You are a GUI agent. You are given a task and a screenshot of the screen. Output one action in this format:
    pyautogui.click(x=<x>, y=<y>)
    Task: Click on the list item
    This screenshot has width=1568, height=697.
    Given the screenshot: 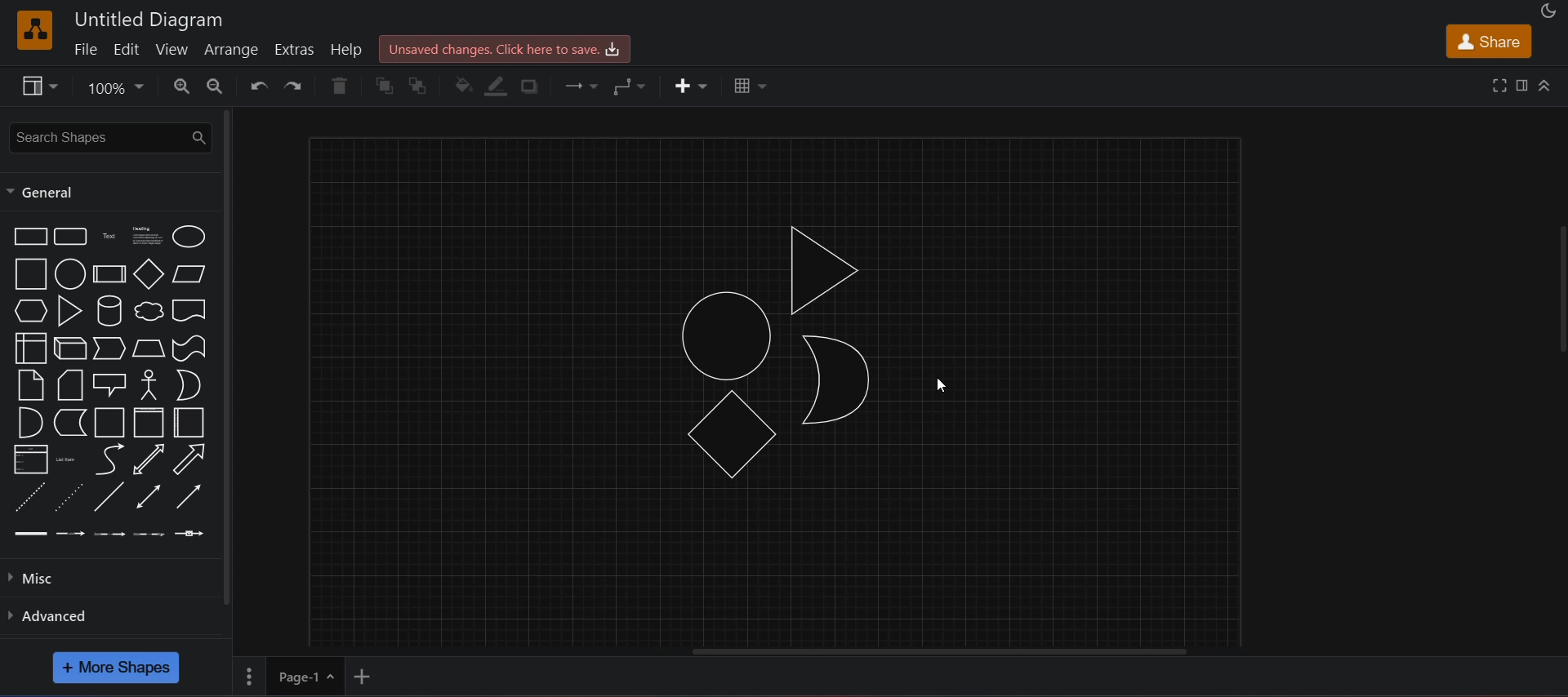 What is the action you would take?
    pyautogui.click(x=69, y=459)
    